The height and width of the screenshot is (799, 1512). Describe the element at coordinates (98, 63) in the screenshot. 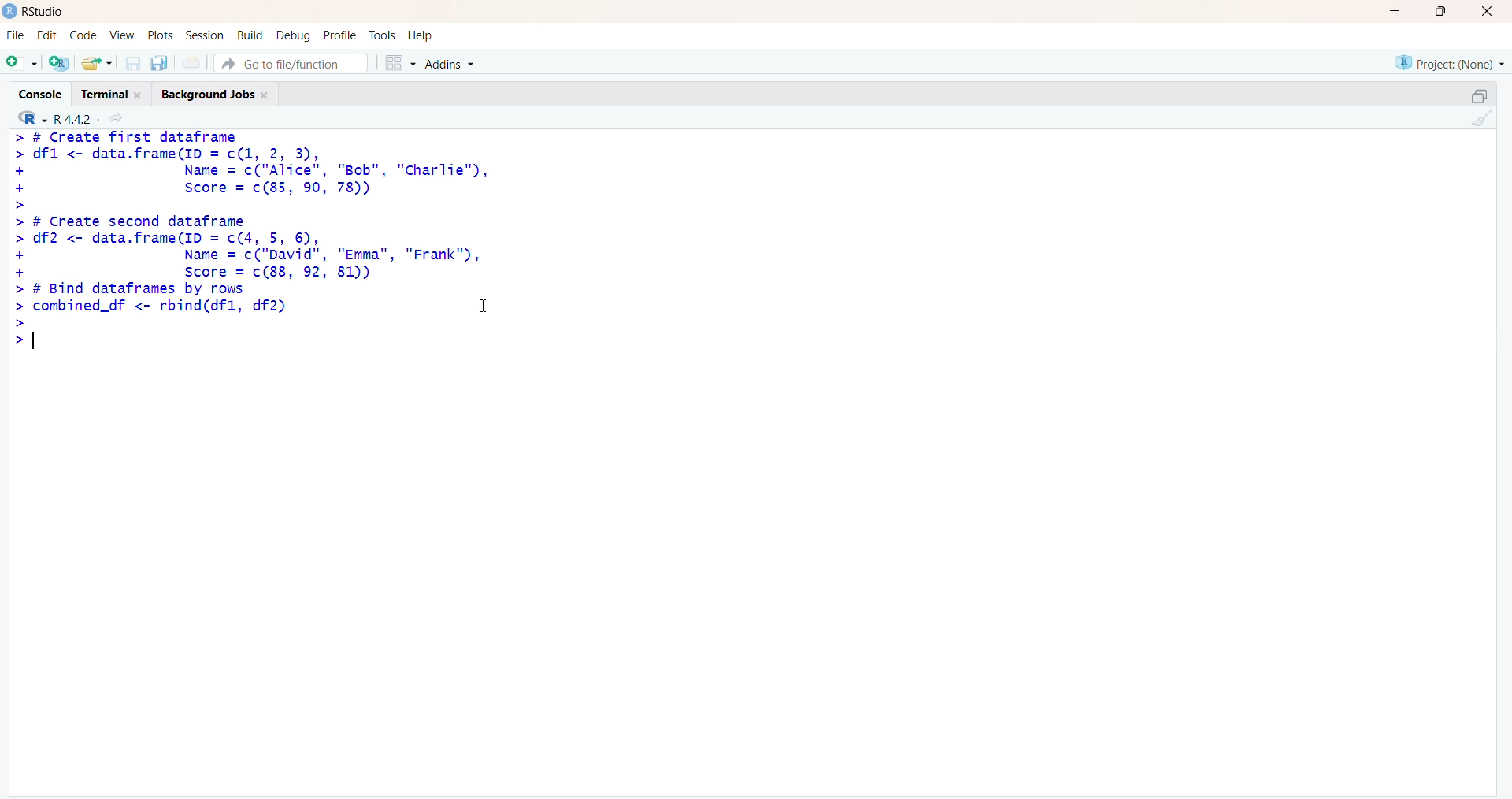

I see `open exixting file` at that location.